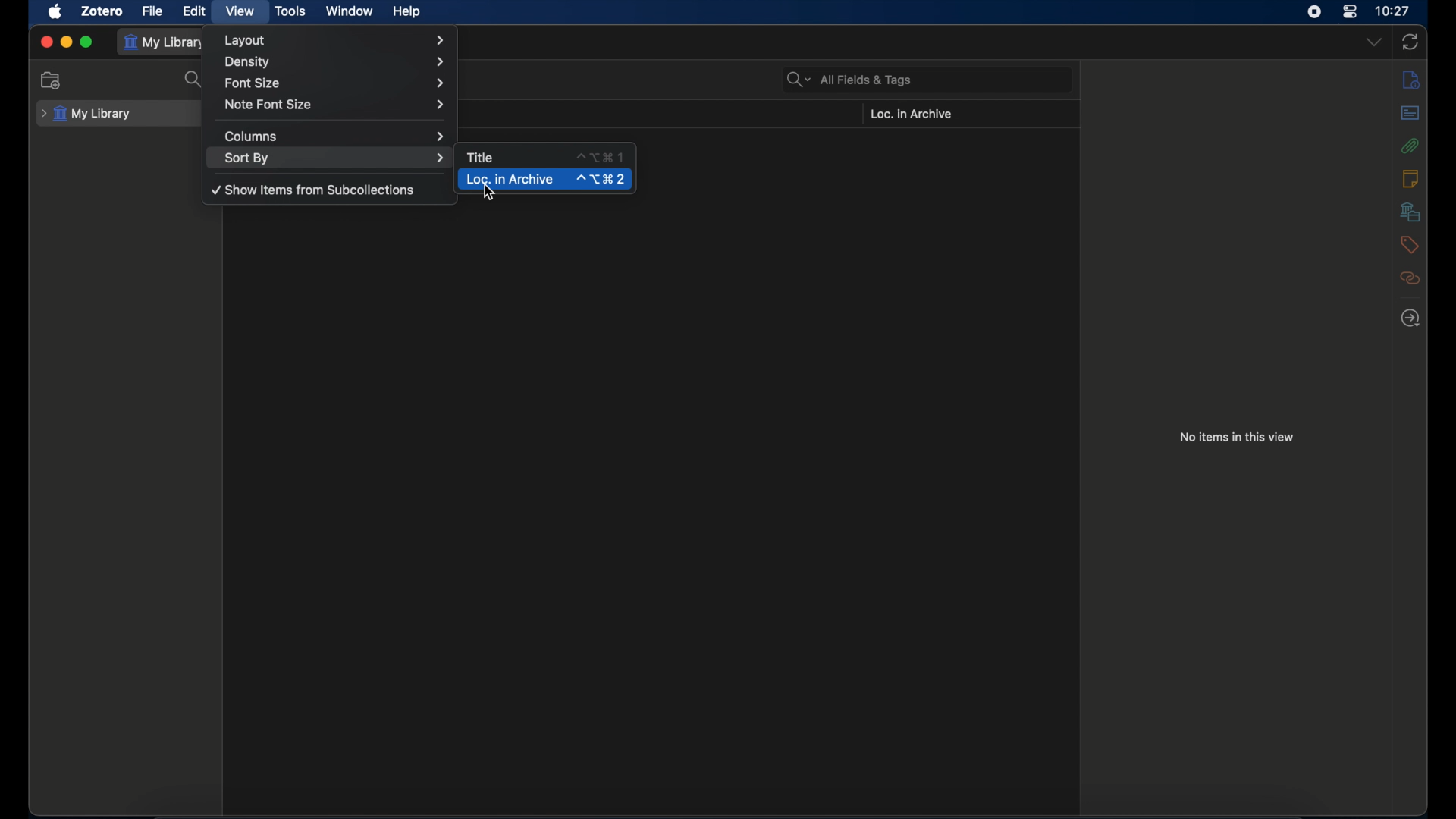  I want to click on search, so click(195, 80).